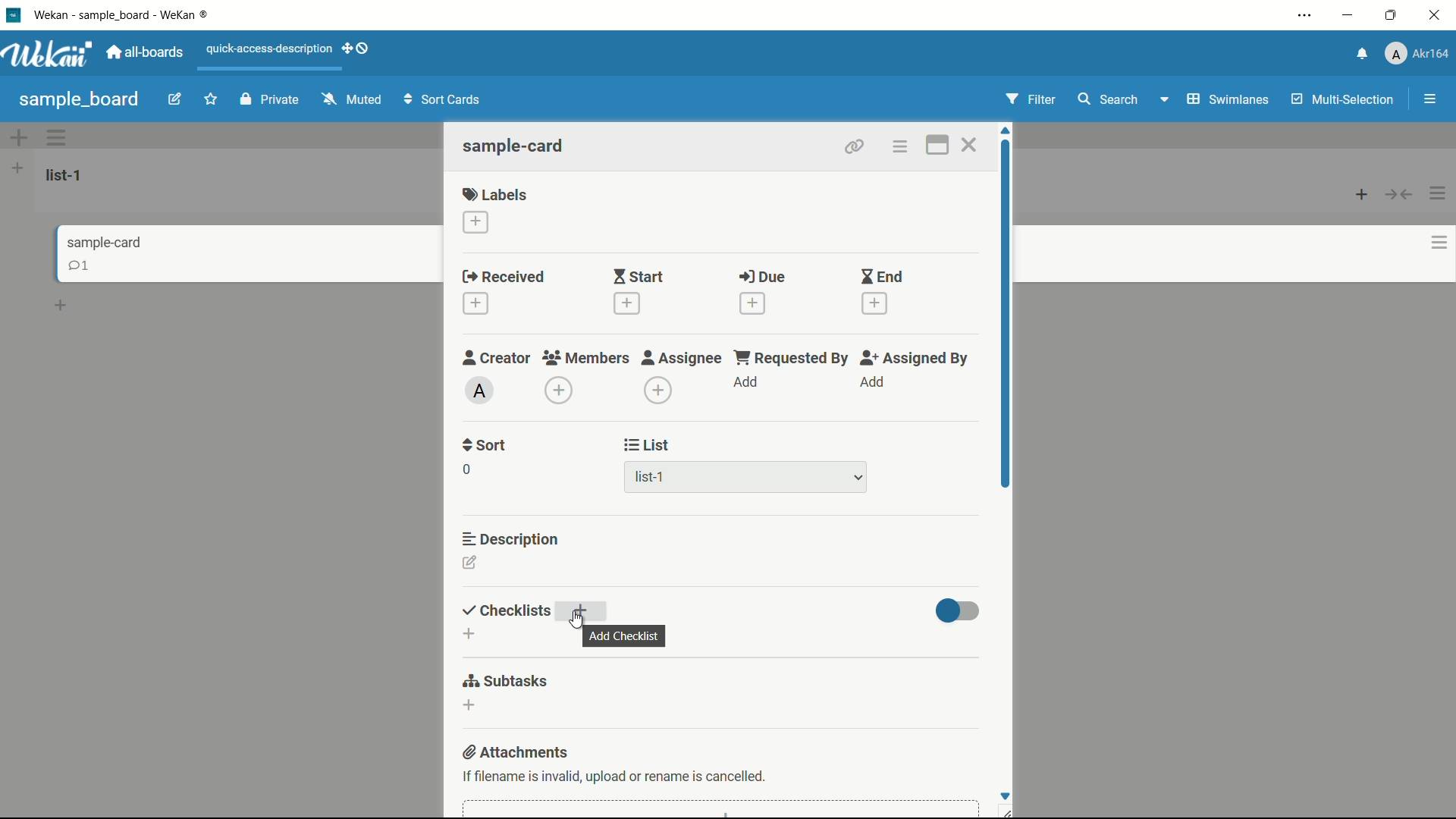 This screenshot has width=1456, height=819. I want to click on add, so click(344, 48).